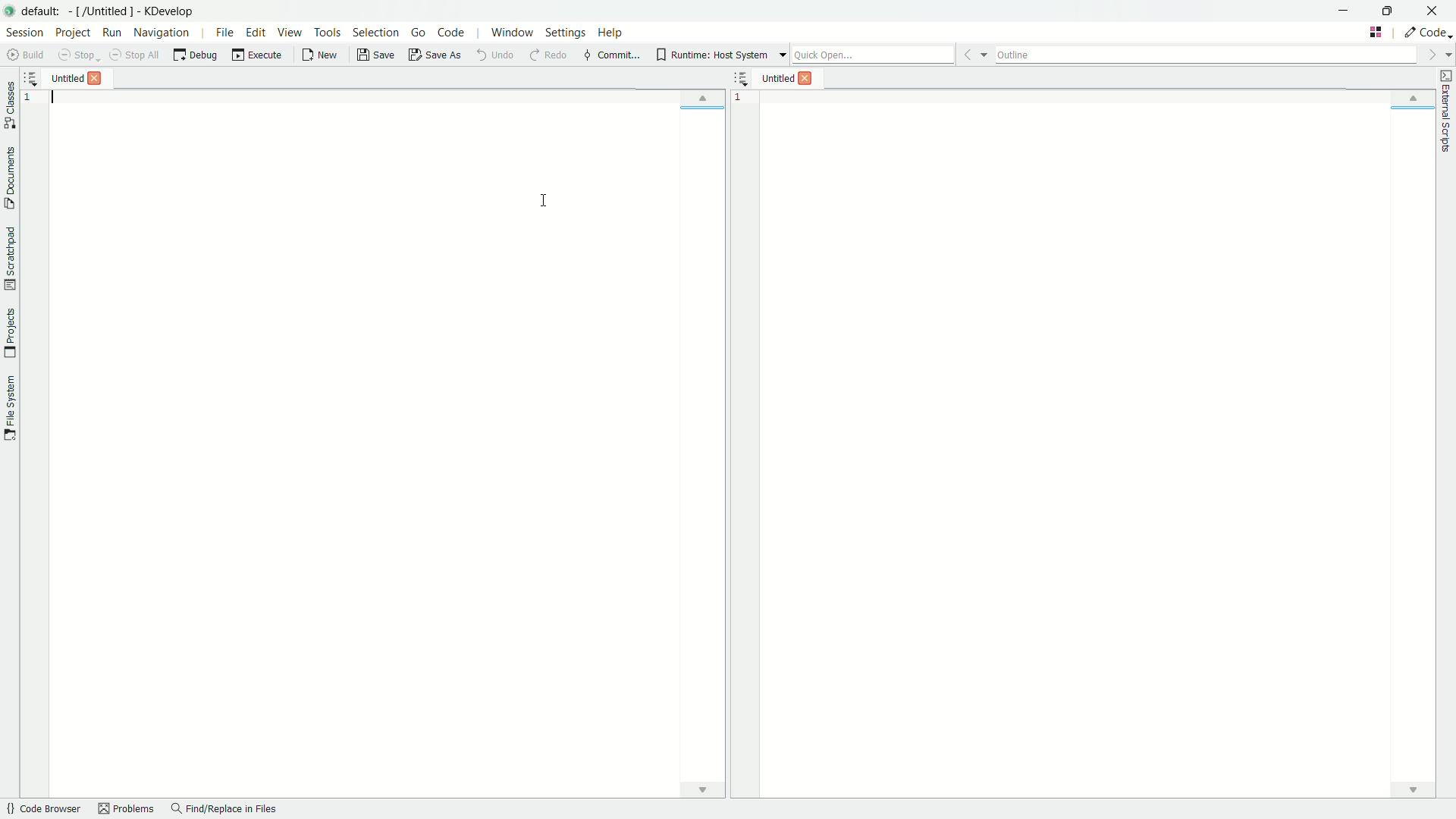  What do you see at coordinates (1223, 55) in the screenshot?
I see `outline bar` at bounding box center [1223, 55].